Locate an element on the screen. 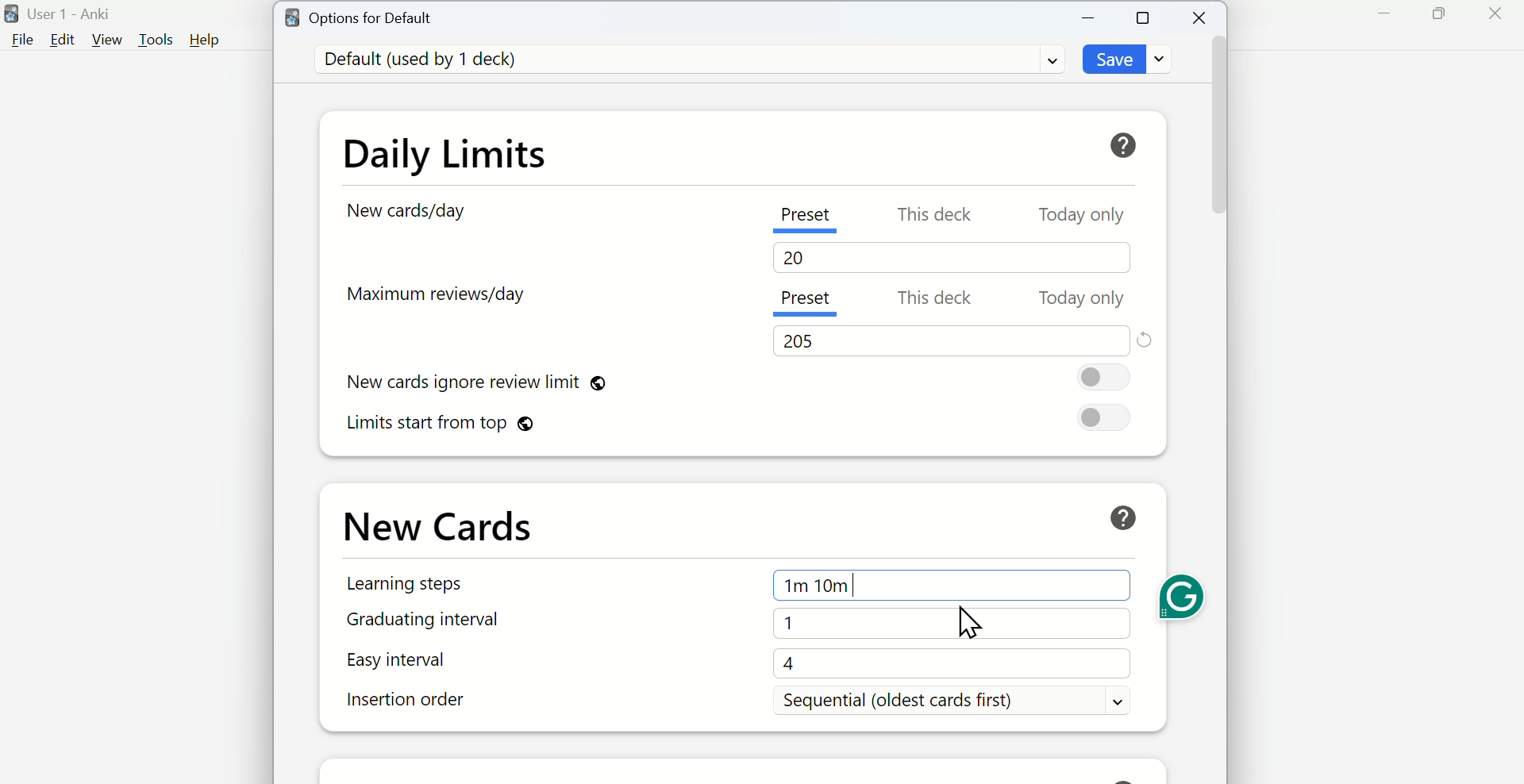 This screenshot has width=1524, height=784. New Cards is located at coordinates (453, 523).